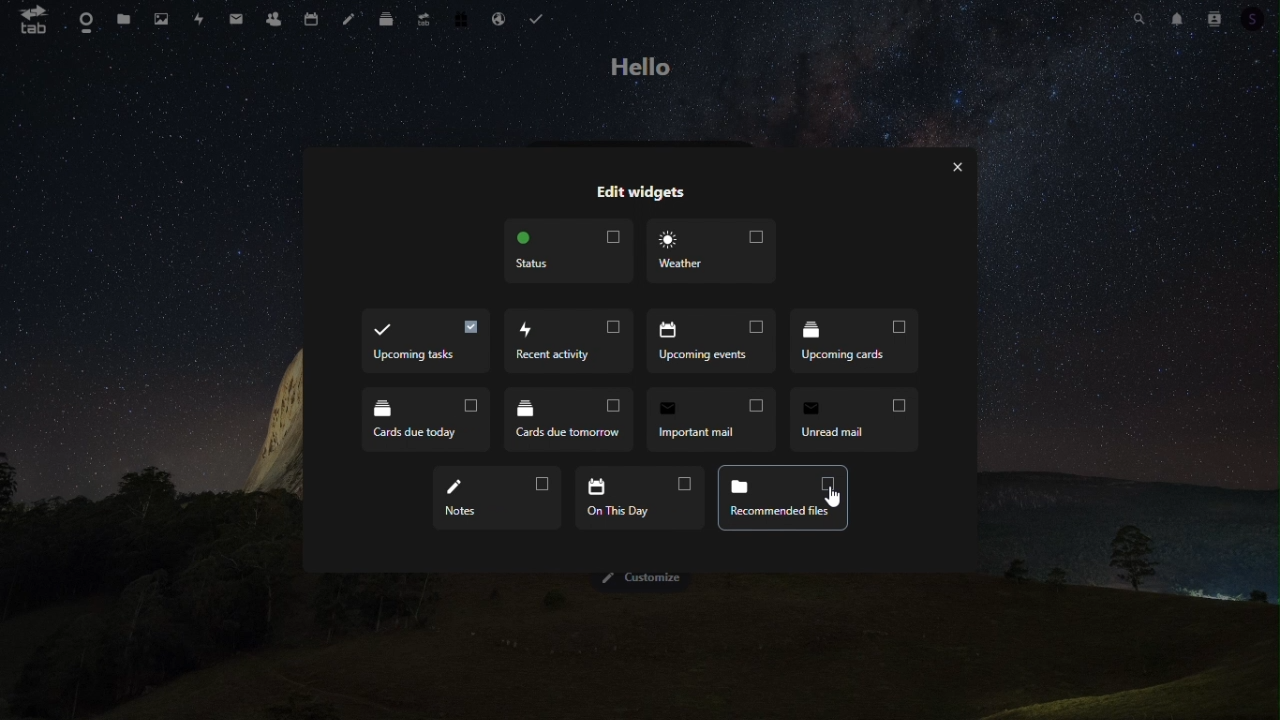  Describe the element at coordinates (569, 418) in the screenshot. I see `important mail` at that location.